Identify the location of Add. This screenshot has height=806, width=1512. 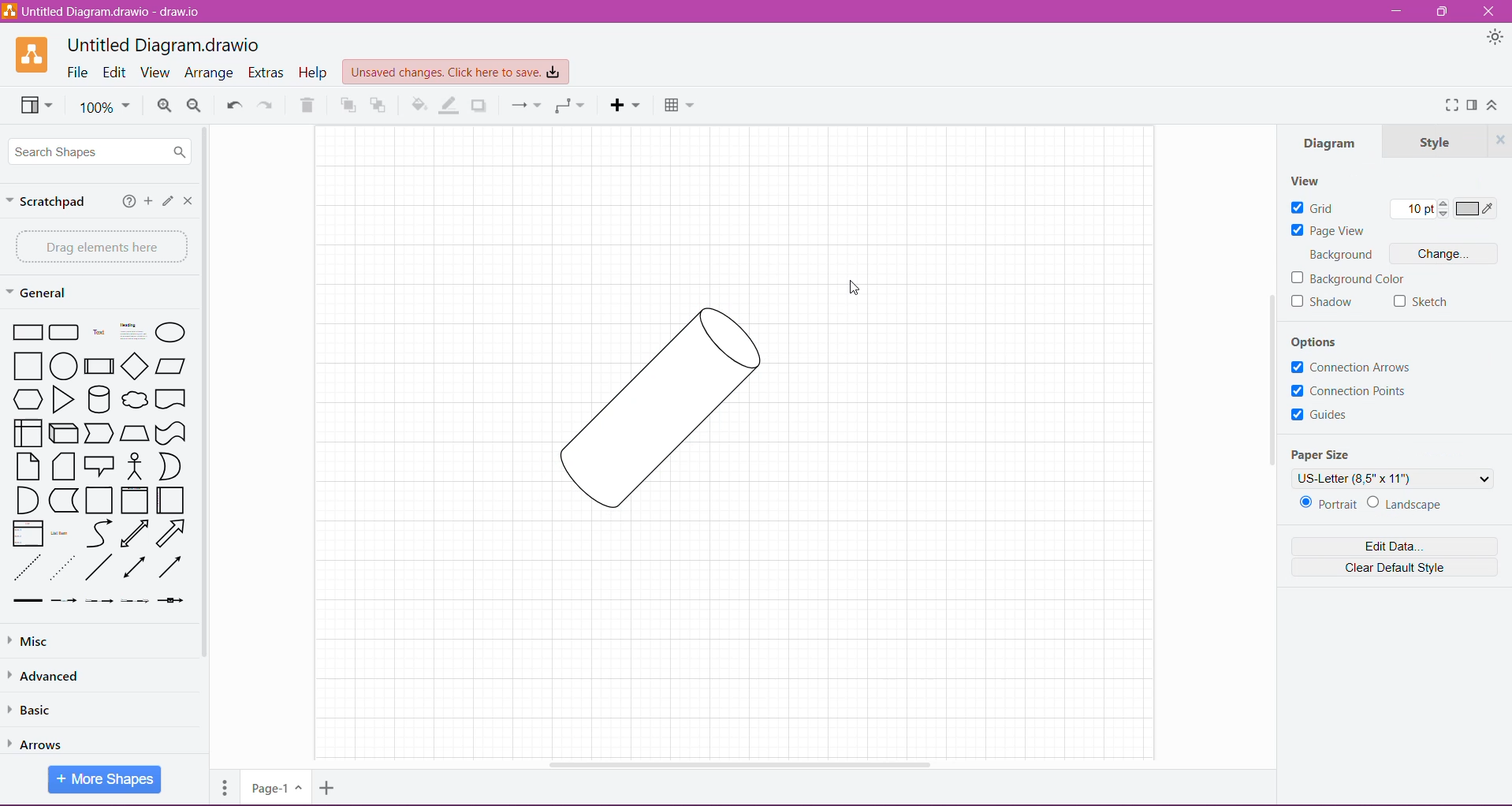
(147, 203).